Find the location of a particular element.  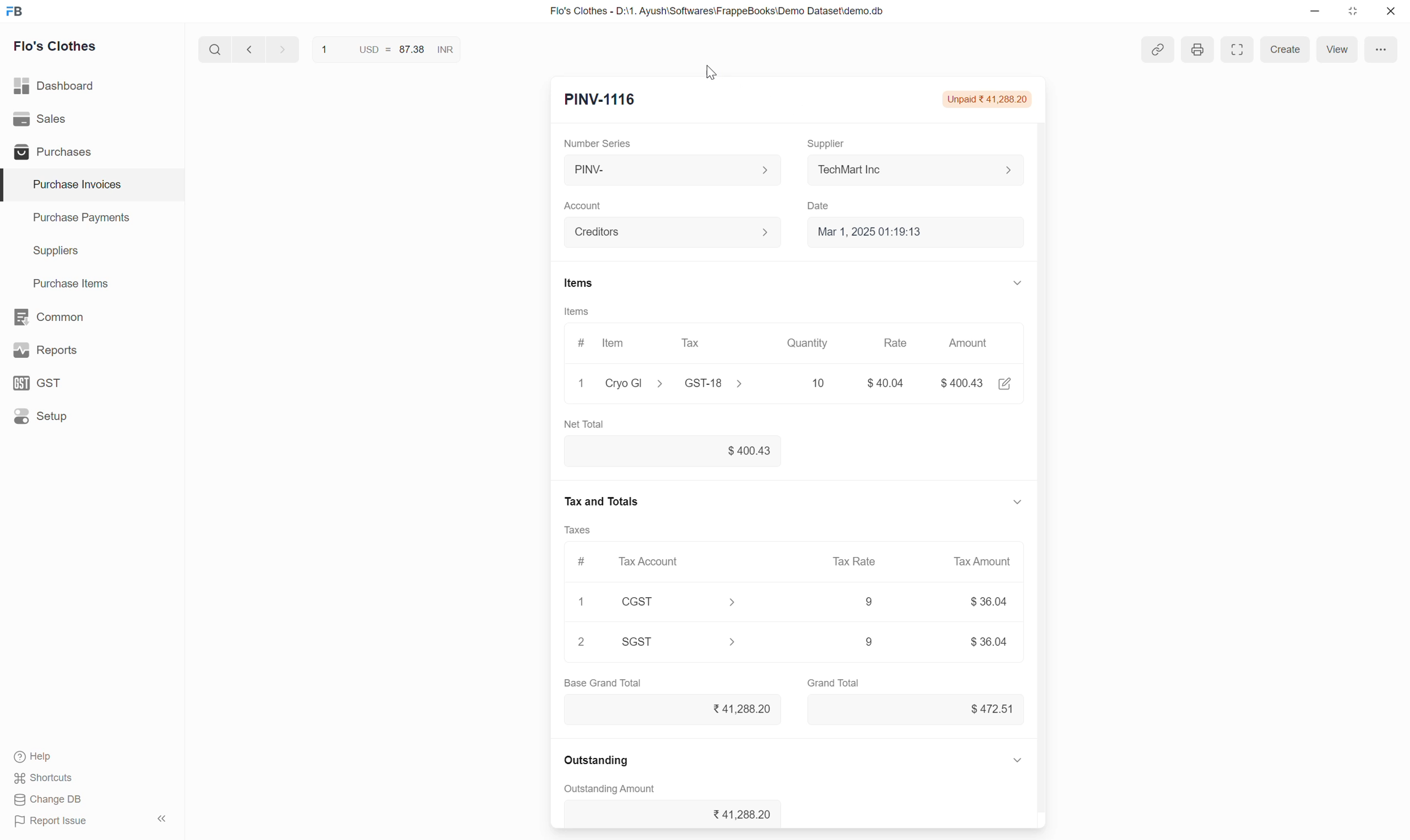

Cryo GI is located at coordinates (634, 382).